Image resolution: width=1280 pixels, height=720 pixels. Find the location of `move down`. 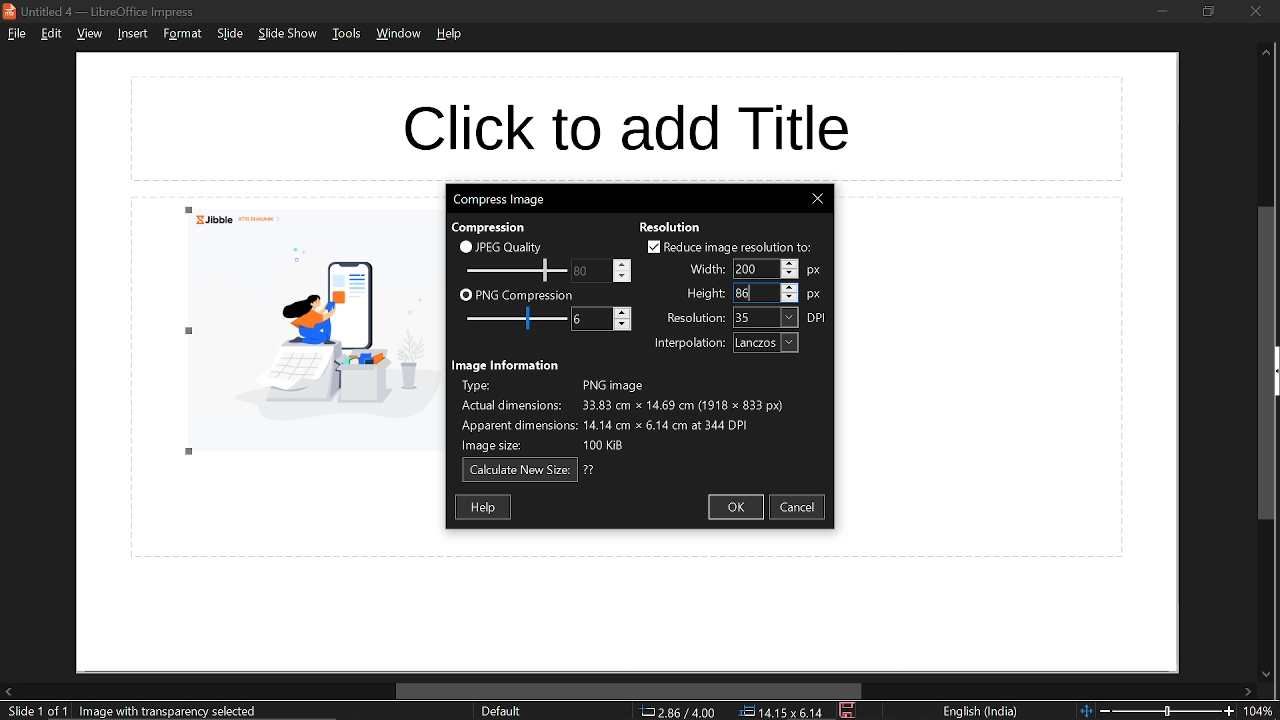

move down is located at coordinates (1264, 675).